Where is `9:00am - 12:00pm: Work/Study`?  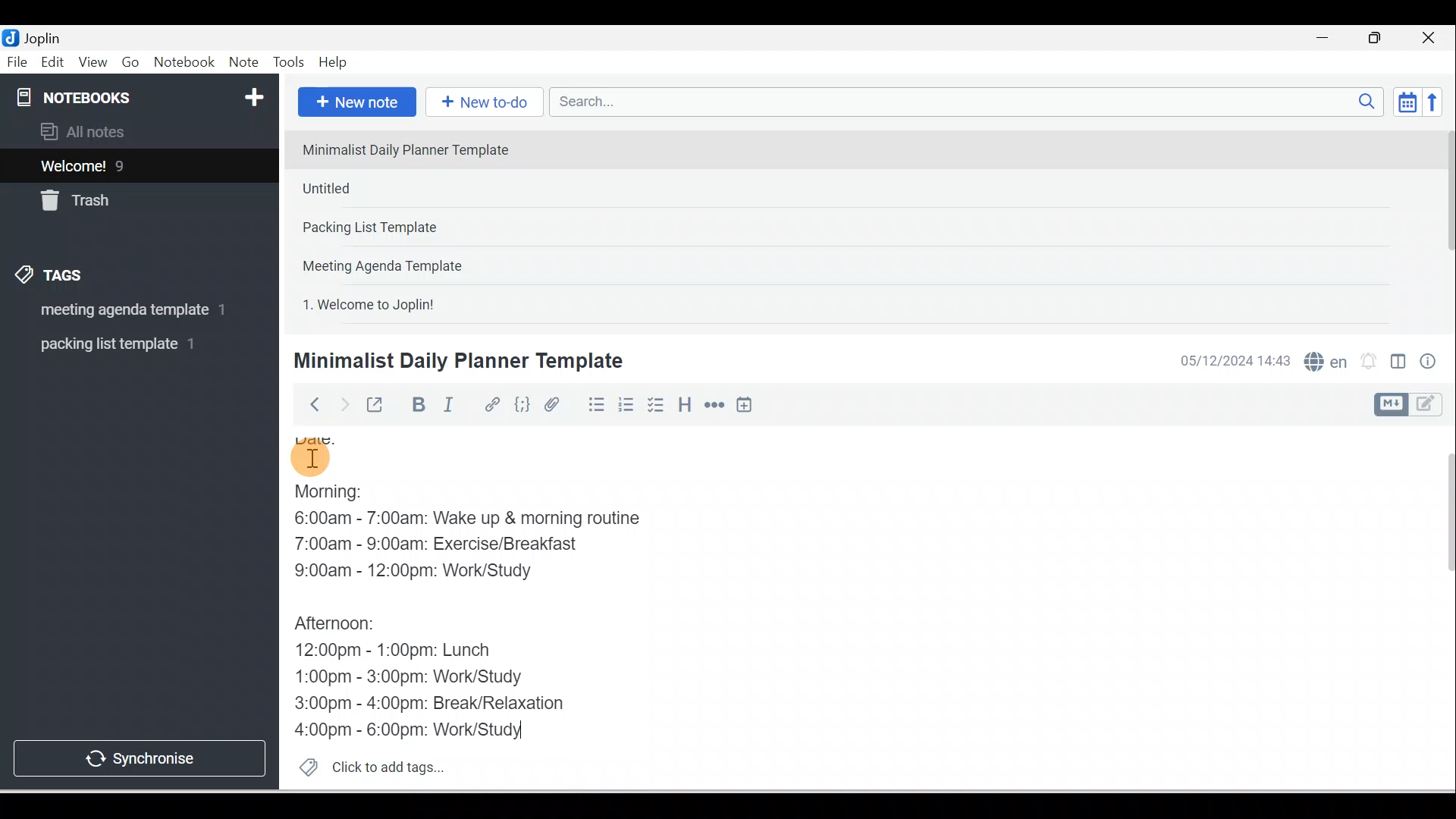 9:00am - 12:00pm: Work/Study is located at coordinates (434, 573).